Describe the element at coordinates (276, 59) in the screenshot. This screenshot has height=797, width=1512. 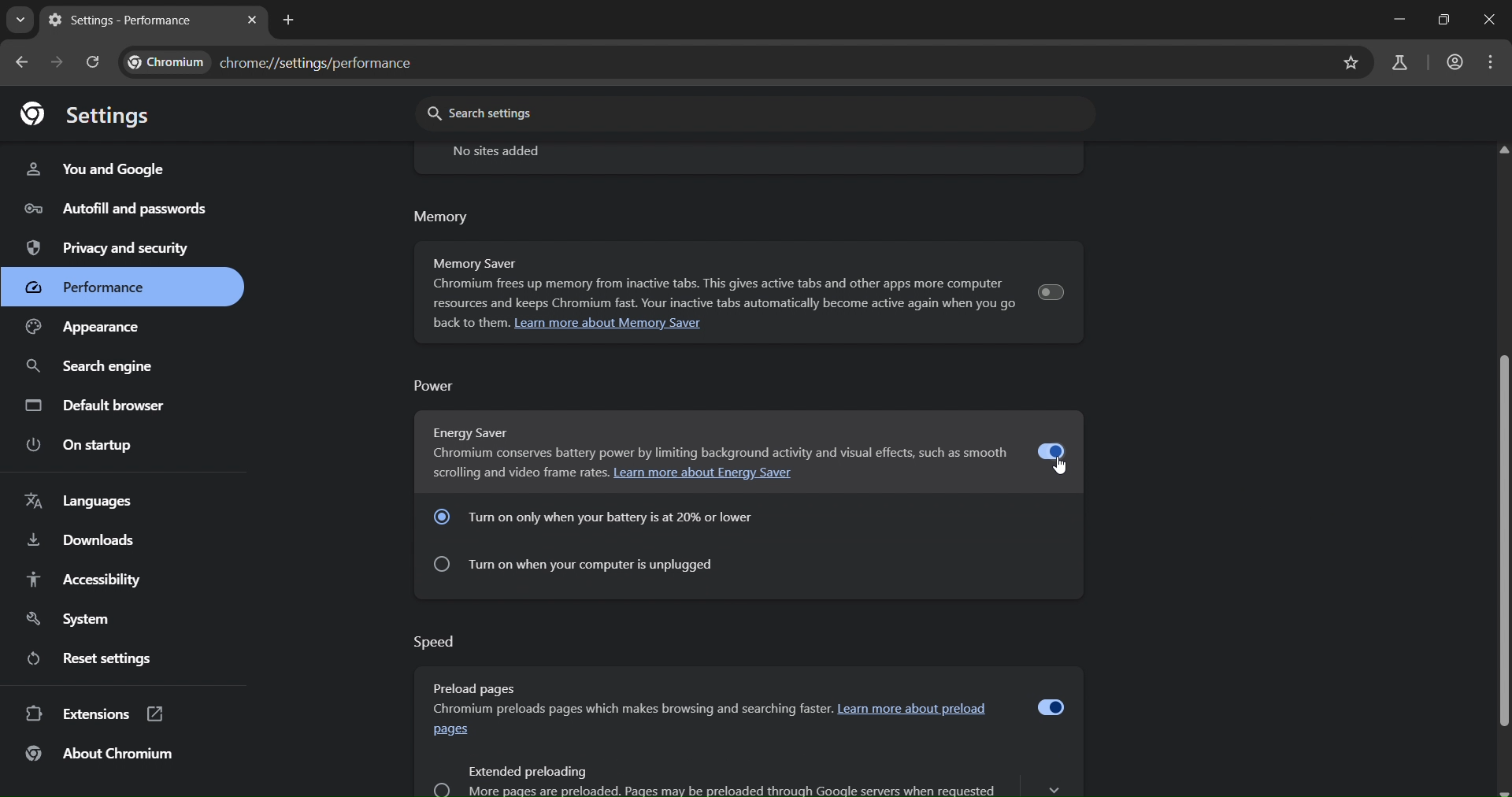
I see `chrome//settings/performance` at that location.